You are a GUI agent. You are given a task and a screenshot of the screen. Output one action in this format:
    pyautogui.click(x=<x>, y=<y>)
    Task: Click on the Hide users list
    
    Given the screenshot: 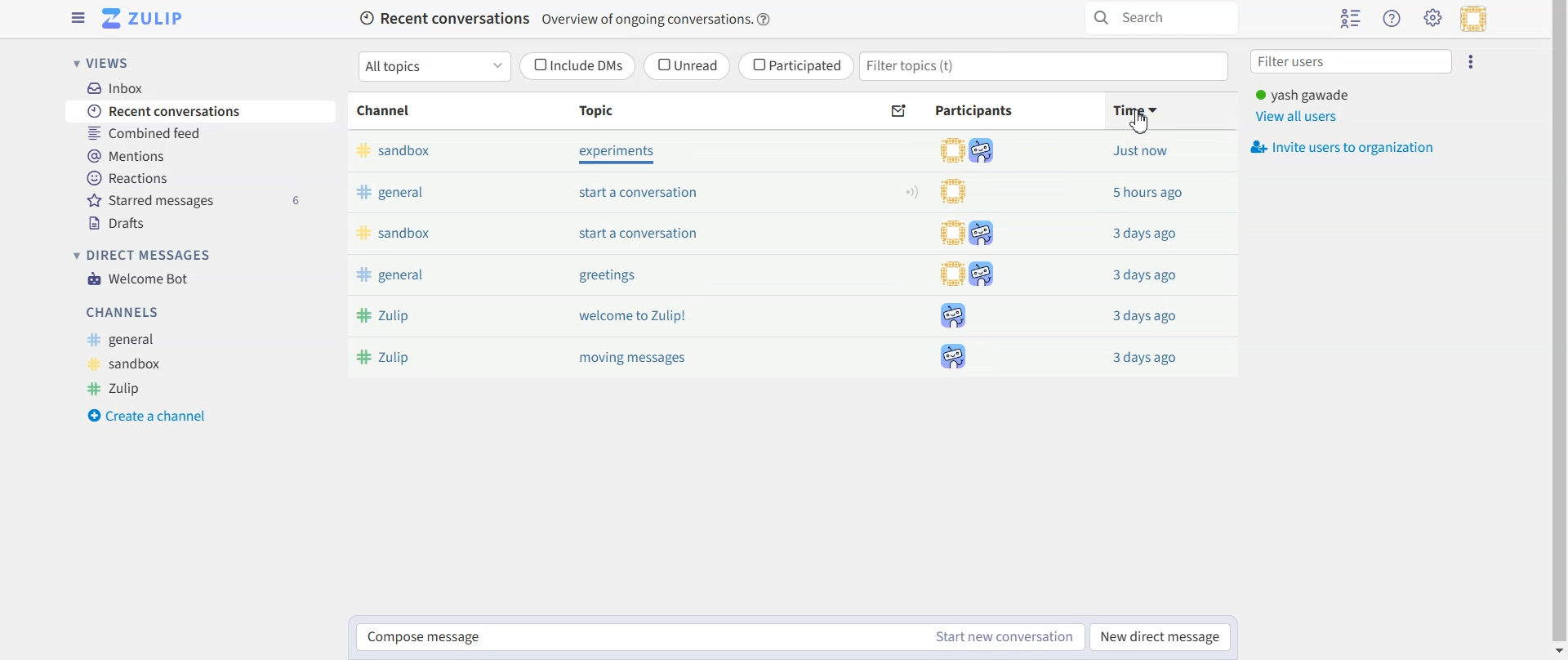 What is the action you would take?
    pyautogui.click(x=1351, y=20)
    